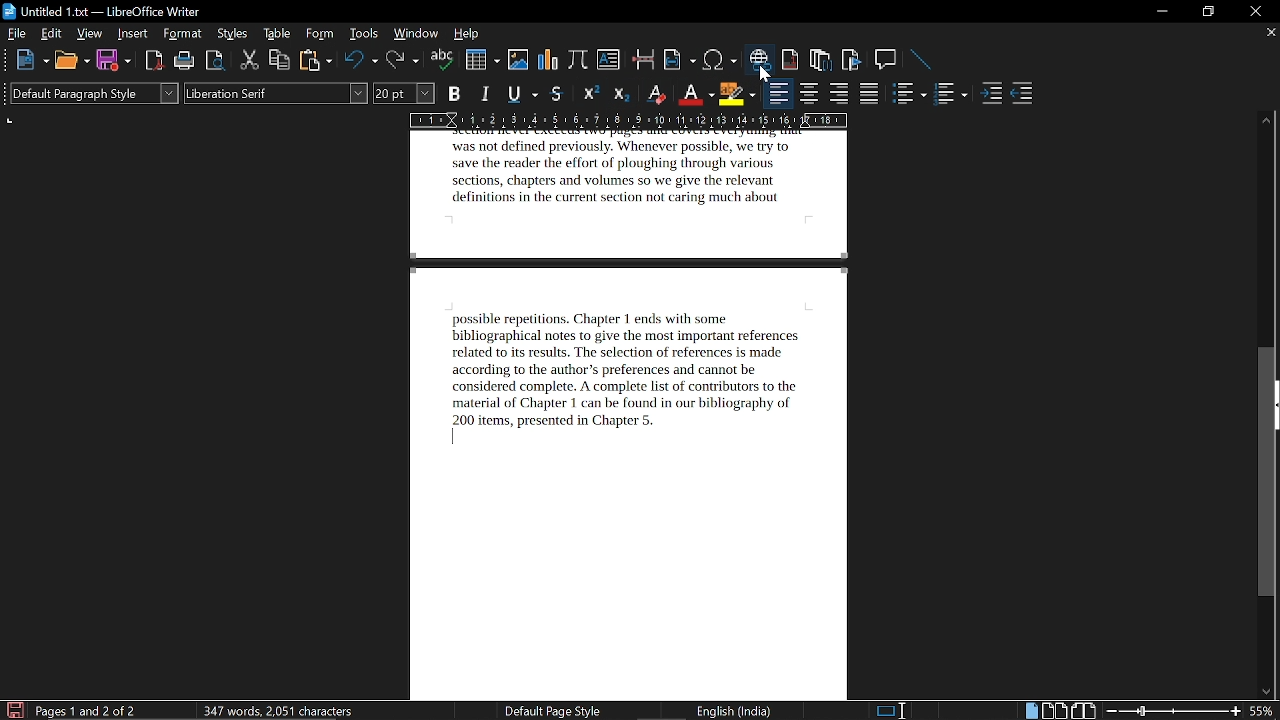 This screenshot has width=1280, height=720. Describe the element at coordinates (16, 34) in the screenshot. I see `file` at that location.